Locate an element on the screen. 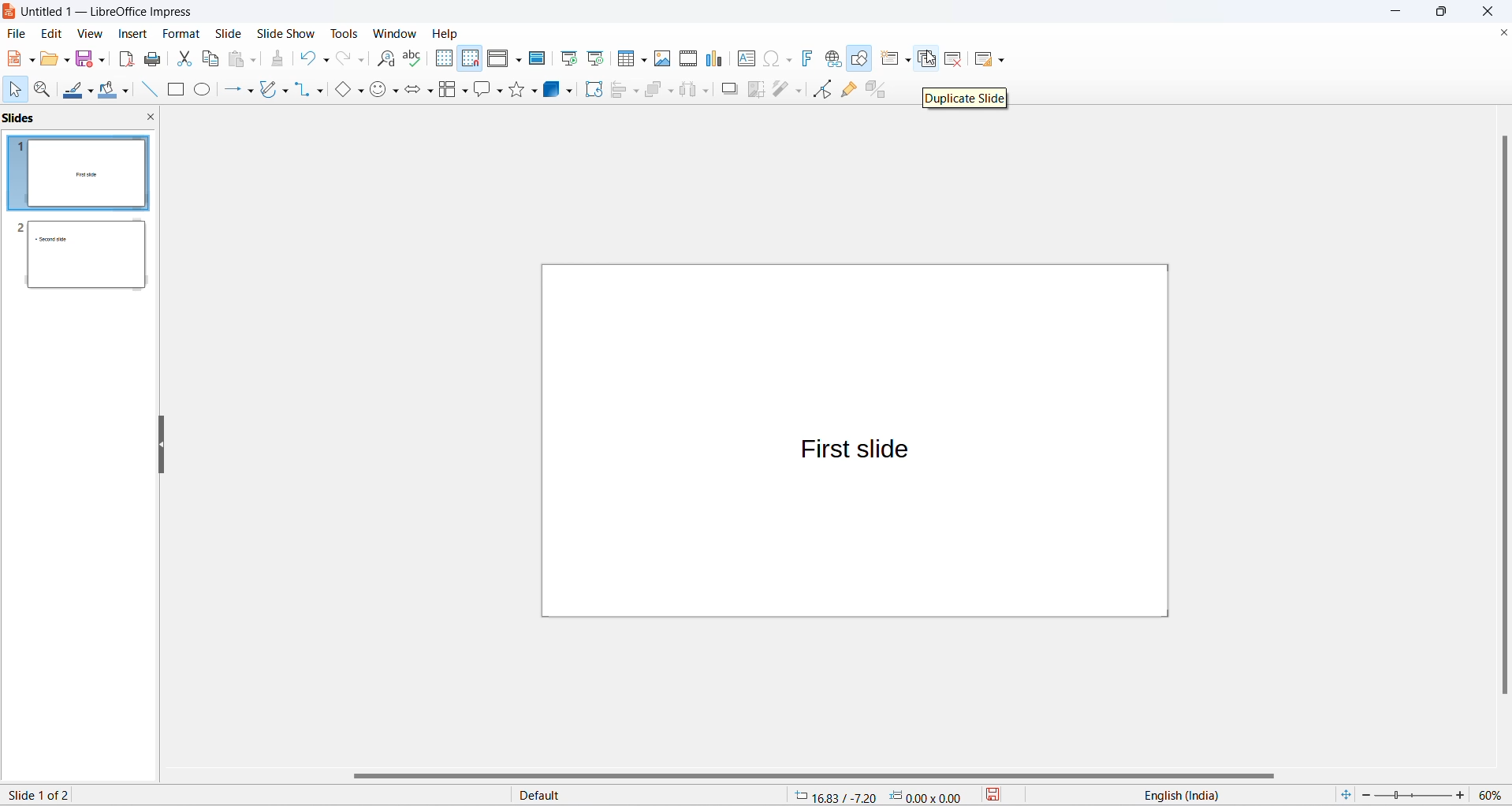 The height and width of the screenshot is (806, 1512). line colors is located at coordinates (68, 88).